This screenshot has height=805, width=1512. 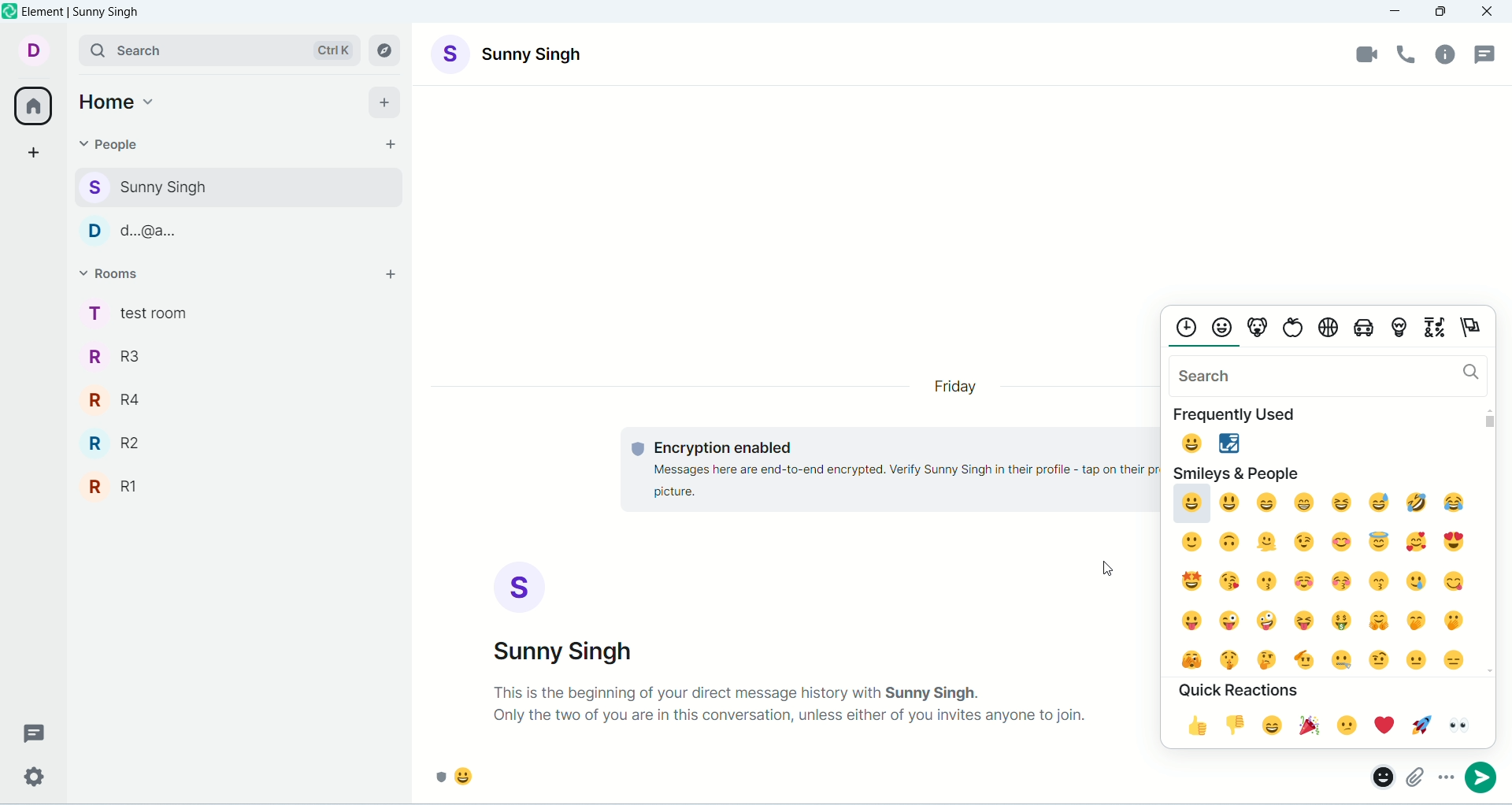 What do you see at coordinates (958, 388) in the screenshot?
I see `day` at bounding box center [958, 388].